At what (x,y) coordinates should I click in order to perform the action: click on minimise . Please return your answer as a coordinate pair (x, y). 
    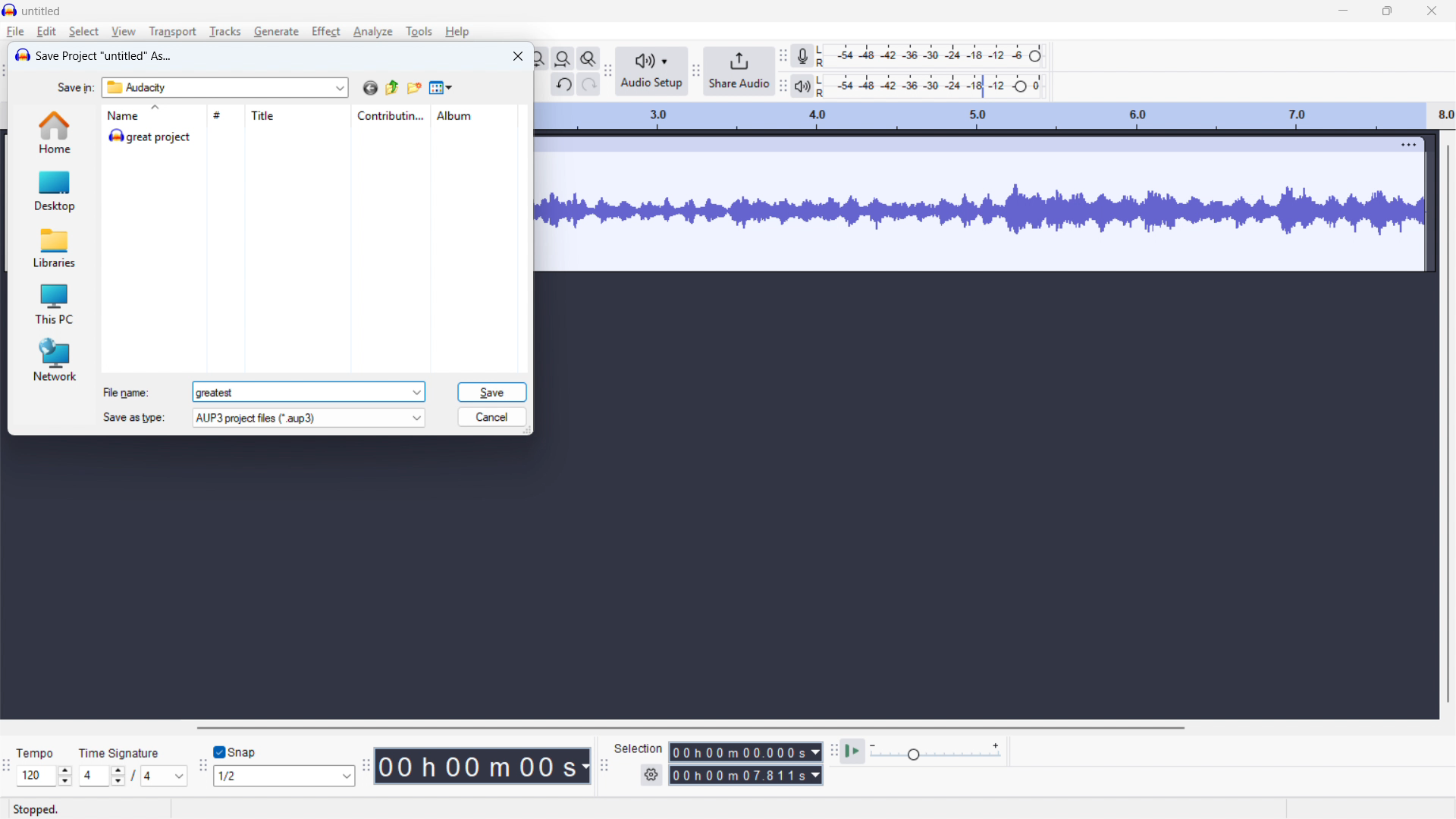
    Looking at the image, I should click on (1341, 12).